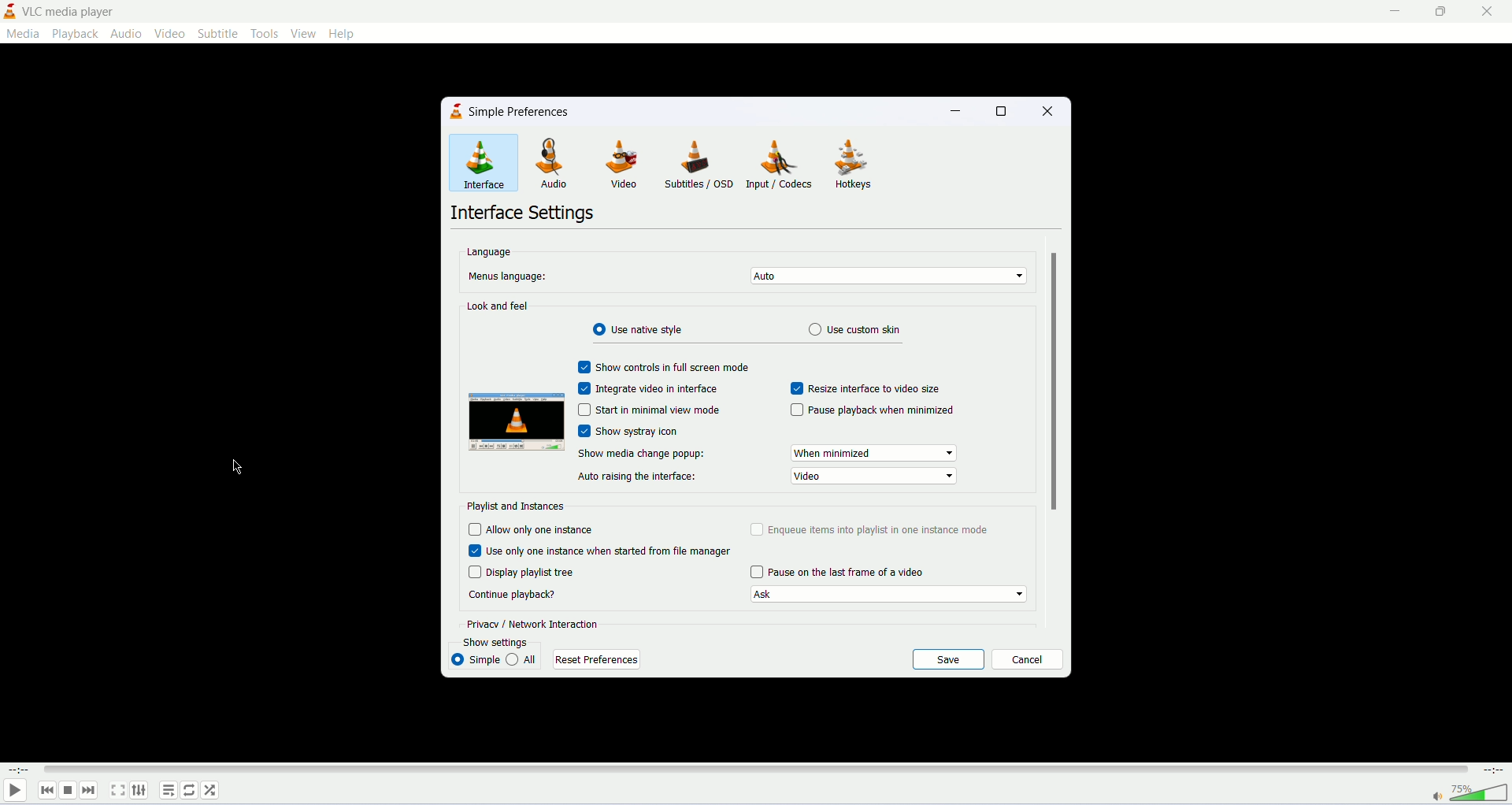  Describe the element at coordinates (190, 790) in the screenshot. I see `toggle loop` at that location.